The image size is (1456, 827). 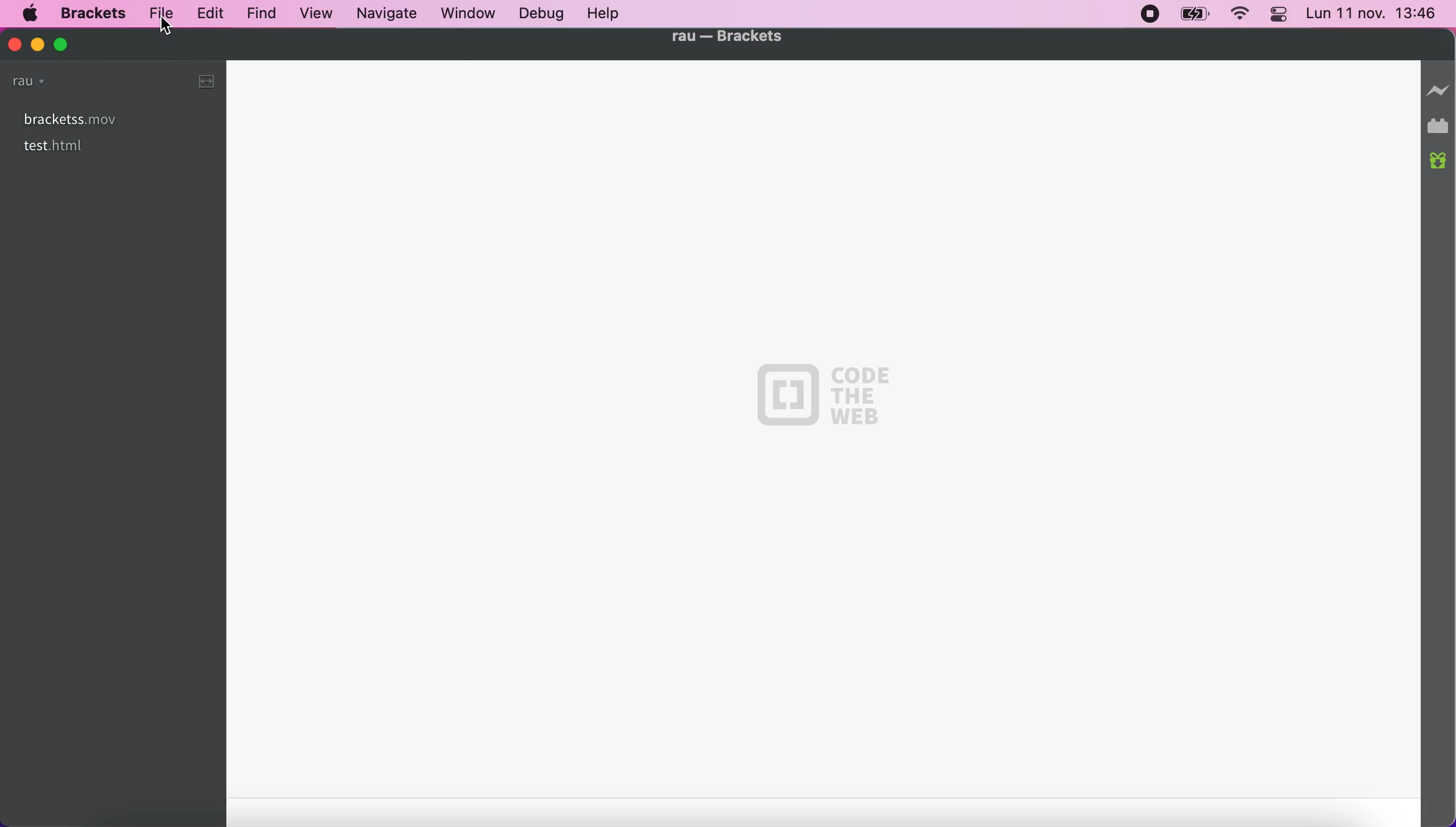 What do you see at coordinates (263, 15) in the screenshot?
I see `find` at bounding box center [263, 15].